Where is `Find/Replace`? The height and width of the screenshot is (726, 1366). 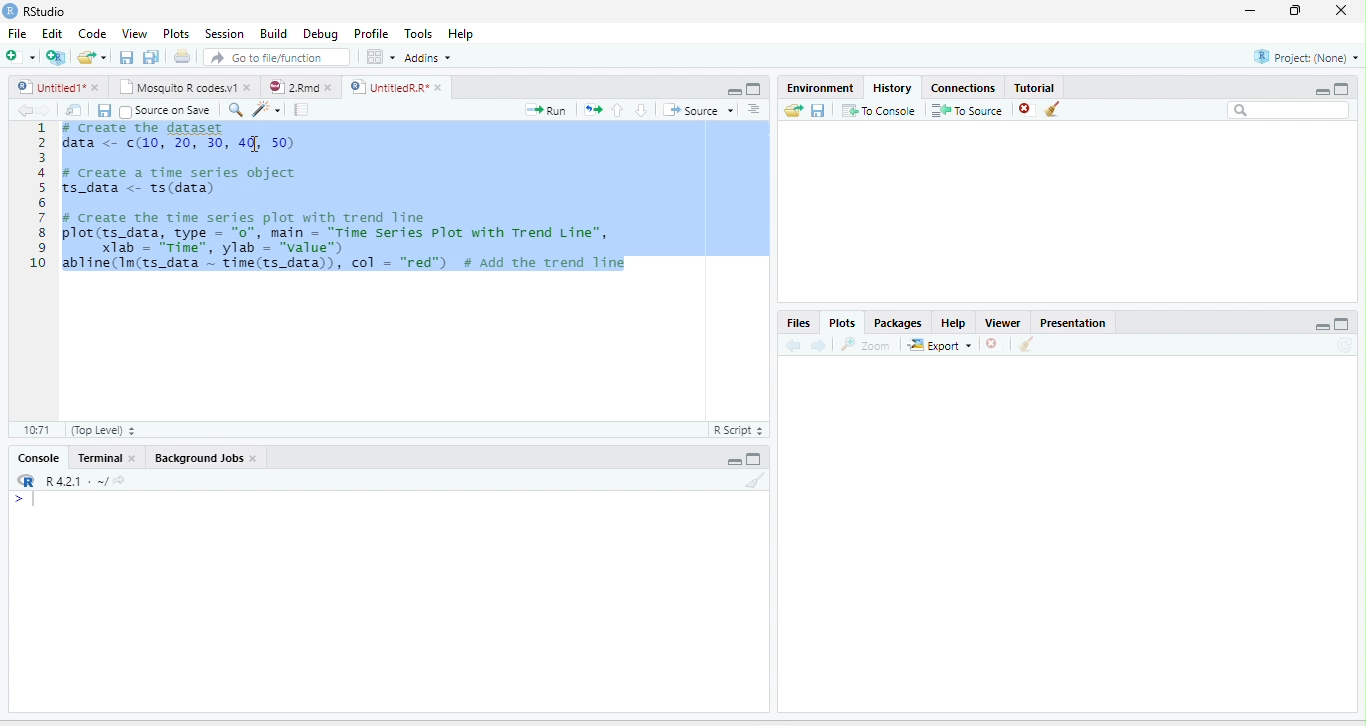
Find/Replace is located at coordinates (236, 110).